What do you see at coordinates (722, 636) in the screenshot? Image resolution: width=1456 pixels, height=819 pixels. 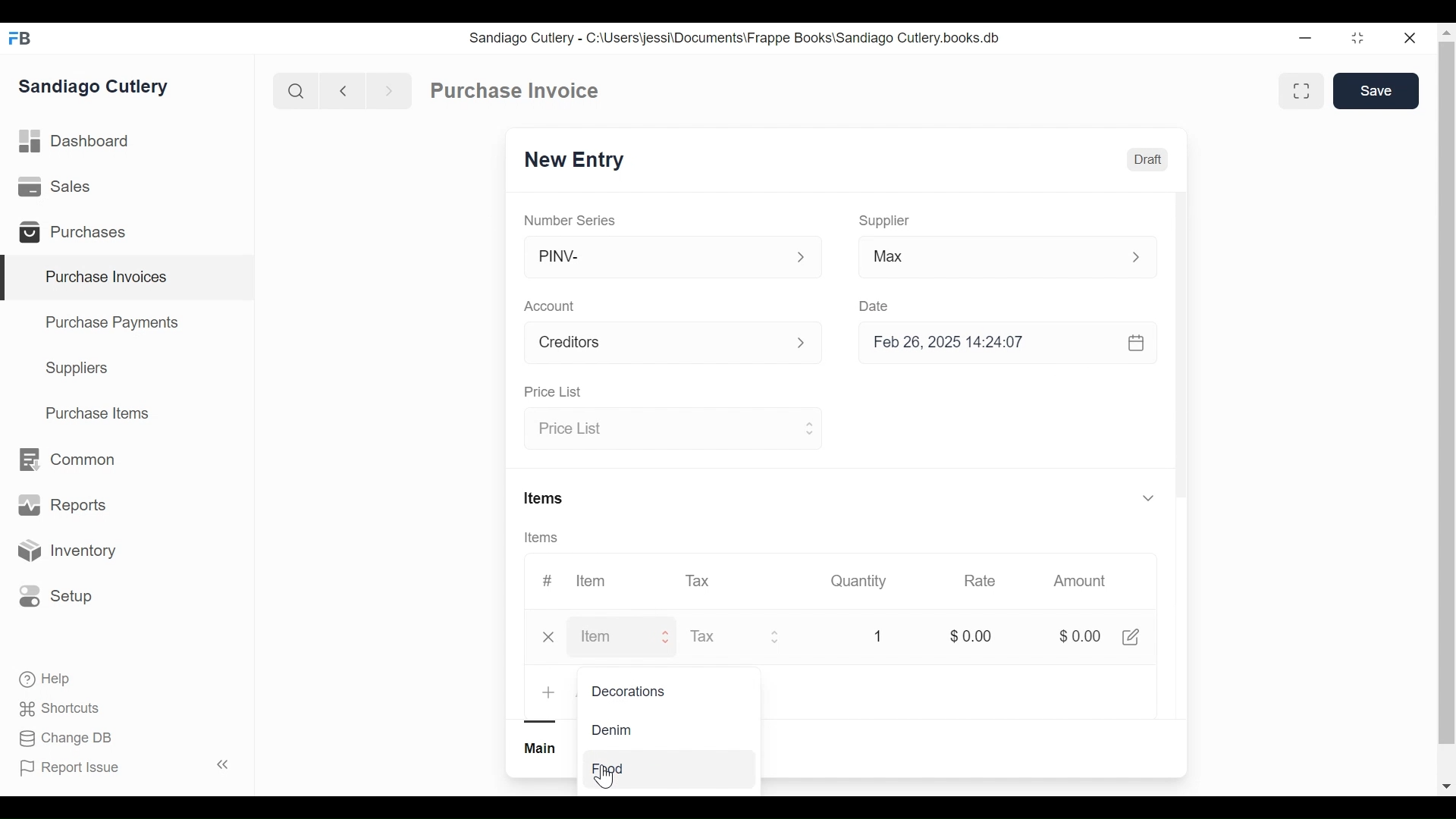 I see `Tax` at bounding box center [722, 636].